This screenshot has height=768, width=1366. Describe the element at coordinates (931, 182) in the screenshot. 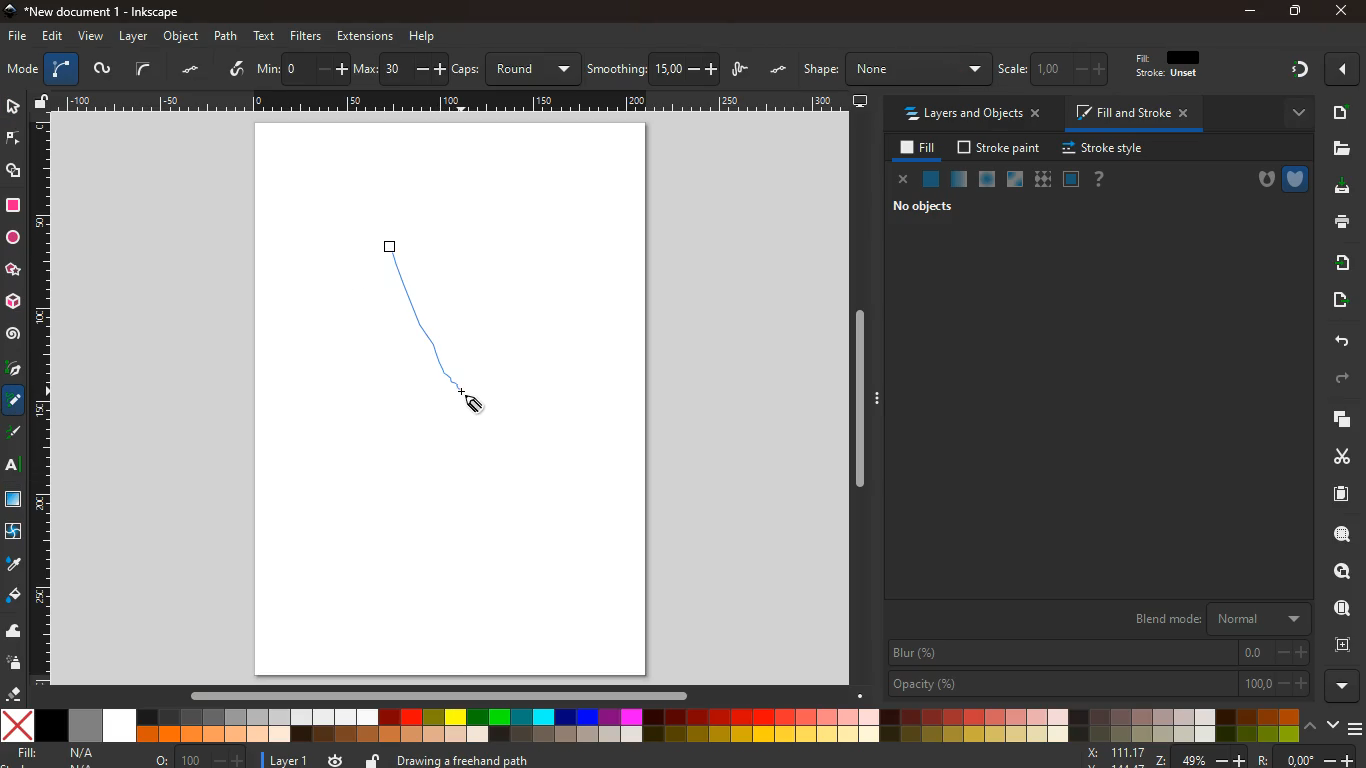

I see `normal` at that location.